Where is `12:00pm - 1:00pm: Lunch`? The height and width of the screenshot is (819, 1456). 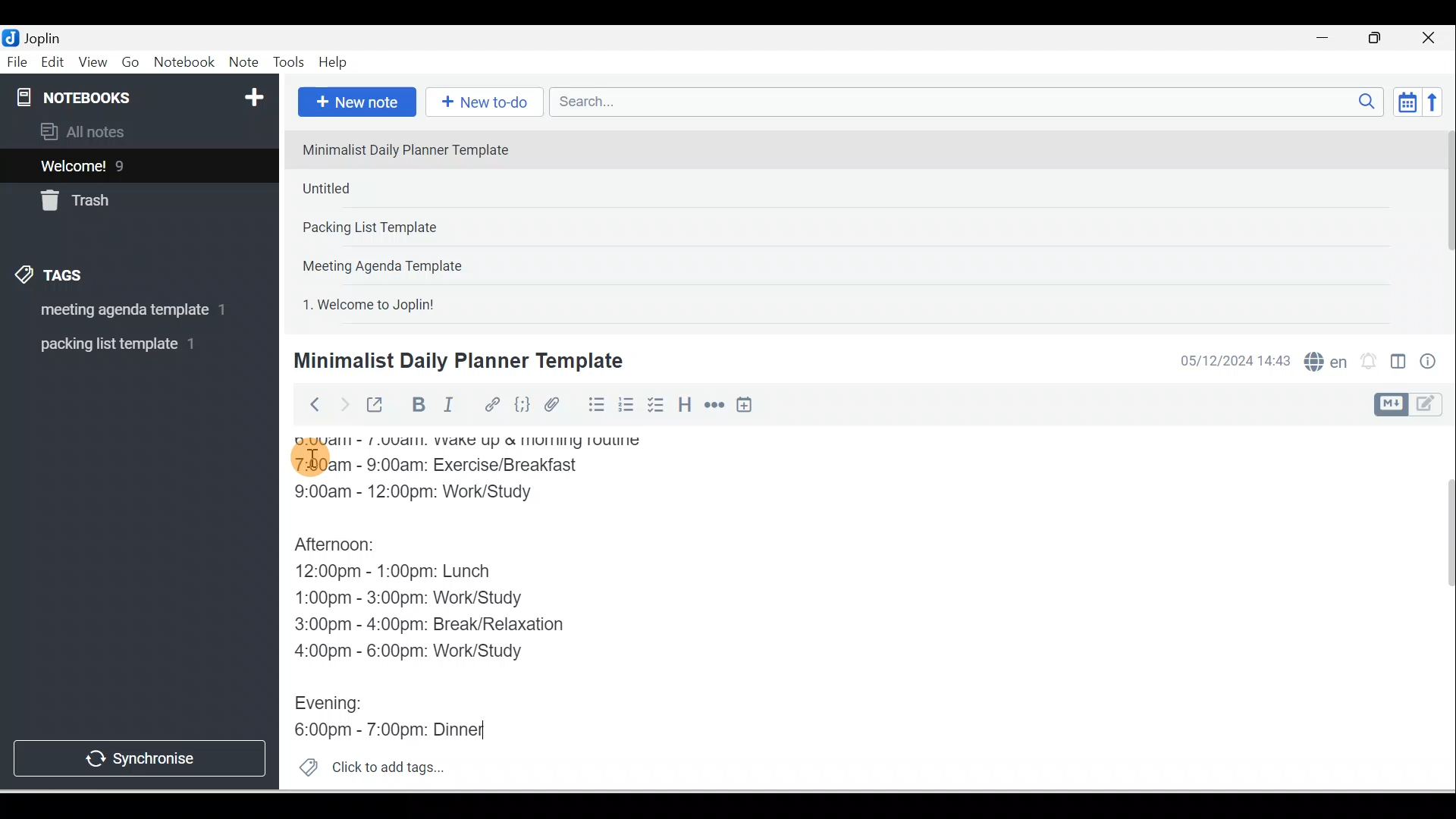 12:00pm - 1:00pm: Lunch is located at coordinates (413, 573).